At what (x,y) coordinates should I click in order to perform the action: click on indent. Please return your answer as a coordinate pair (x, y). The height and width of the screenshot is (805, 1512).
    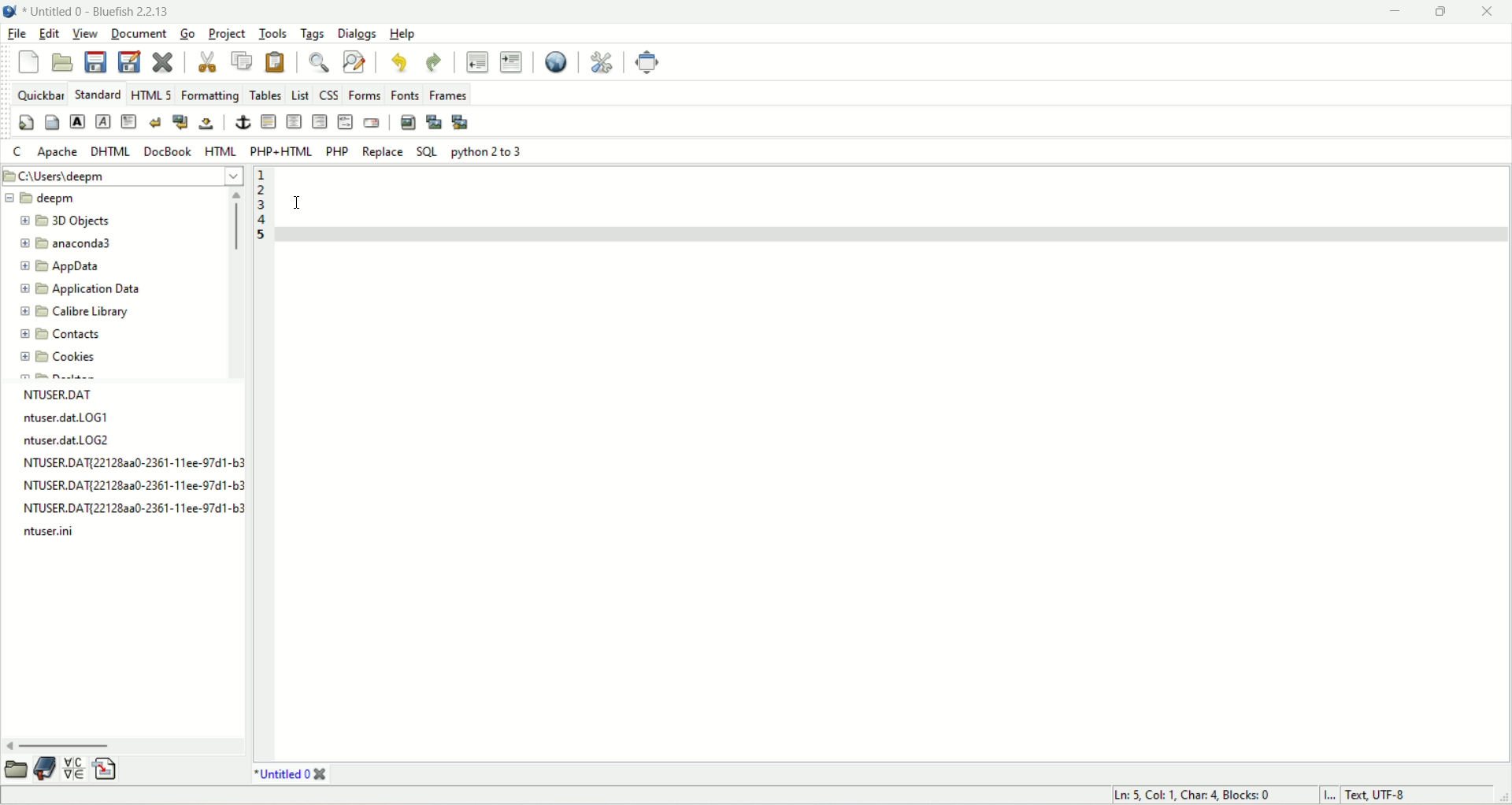
    Looking at the image, I should click on (513, 62).